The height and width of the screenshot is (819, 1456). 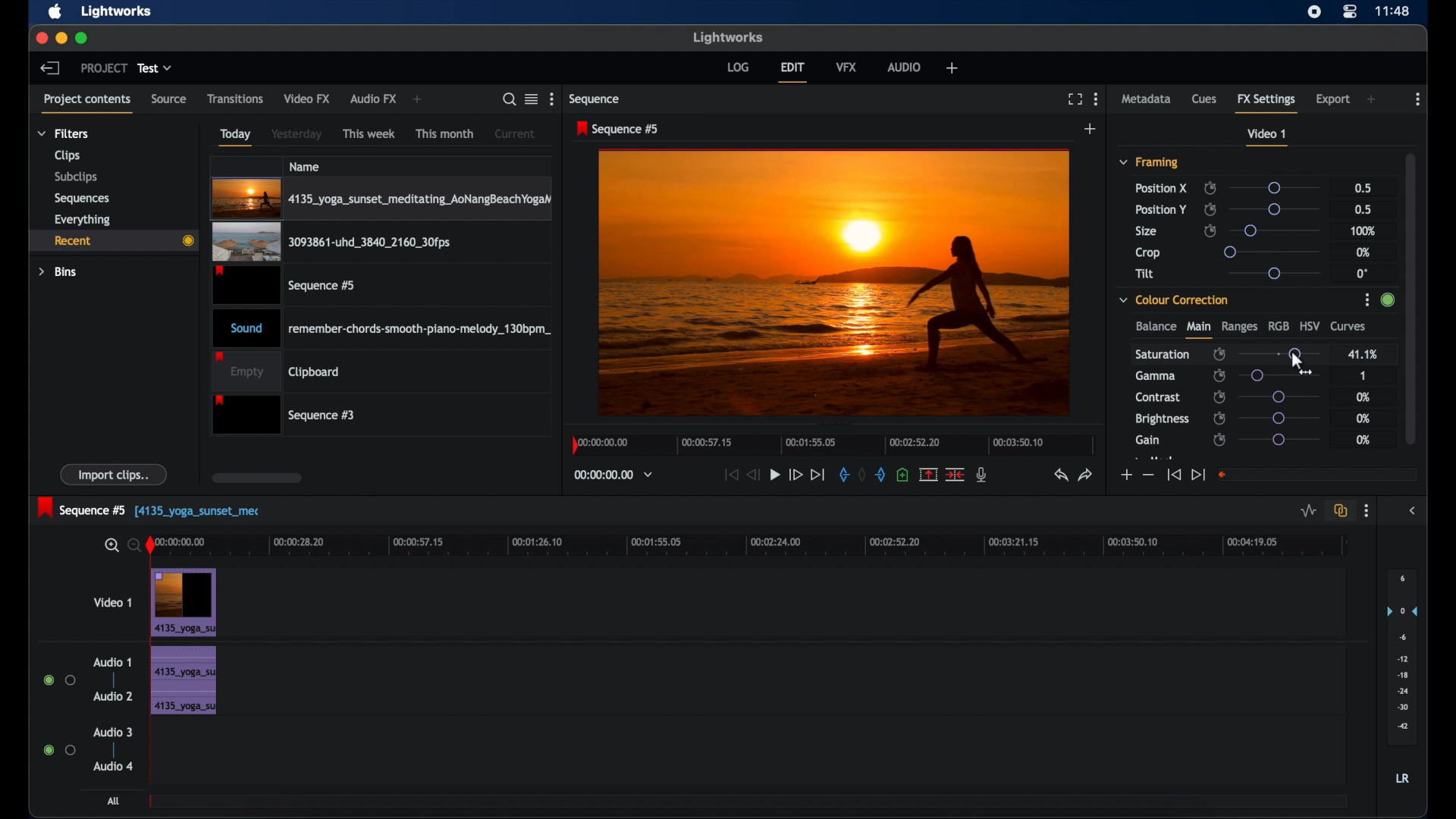 What do you see at coordinates (1163, 419) in the screenshot?
I see `brightness` at bounding box center [1163, 419].